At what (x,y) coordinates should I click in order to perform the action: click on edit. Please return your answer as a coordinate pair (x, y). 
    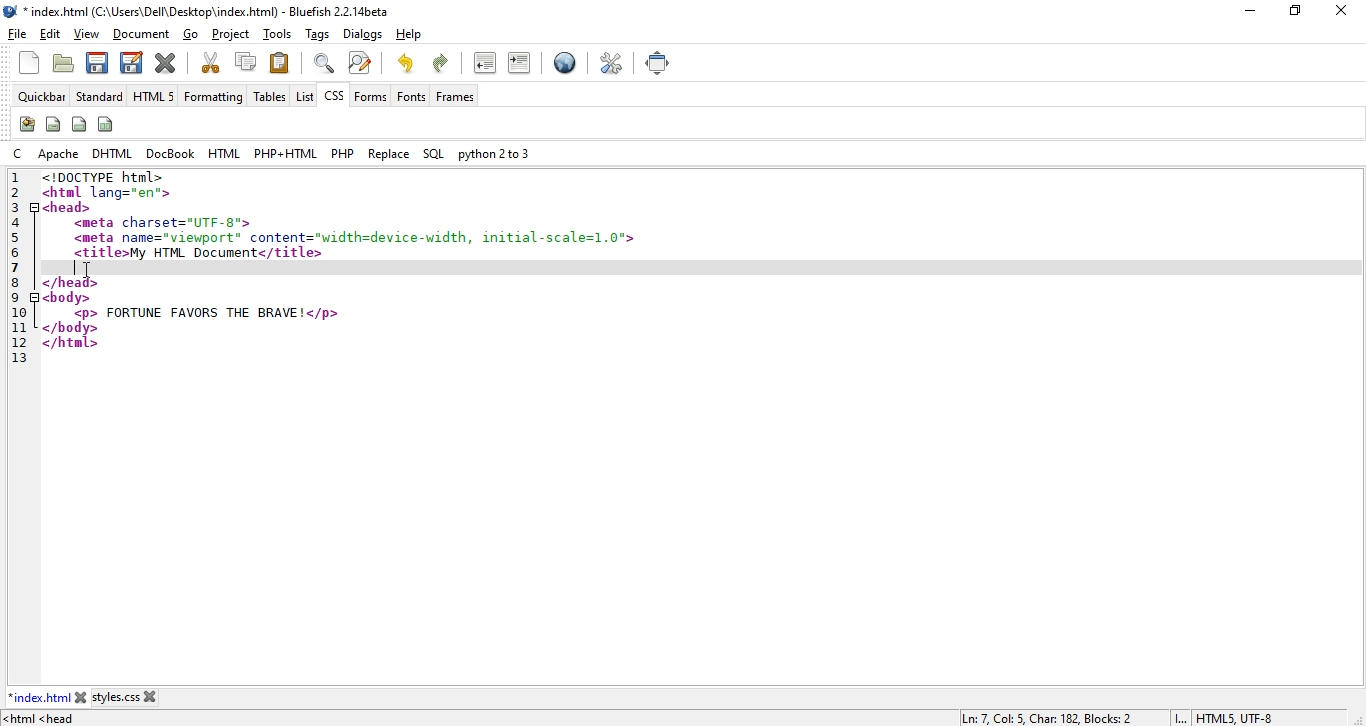
    Looking at the image, I should click on (50, 35).